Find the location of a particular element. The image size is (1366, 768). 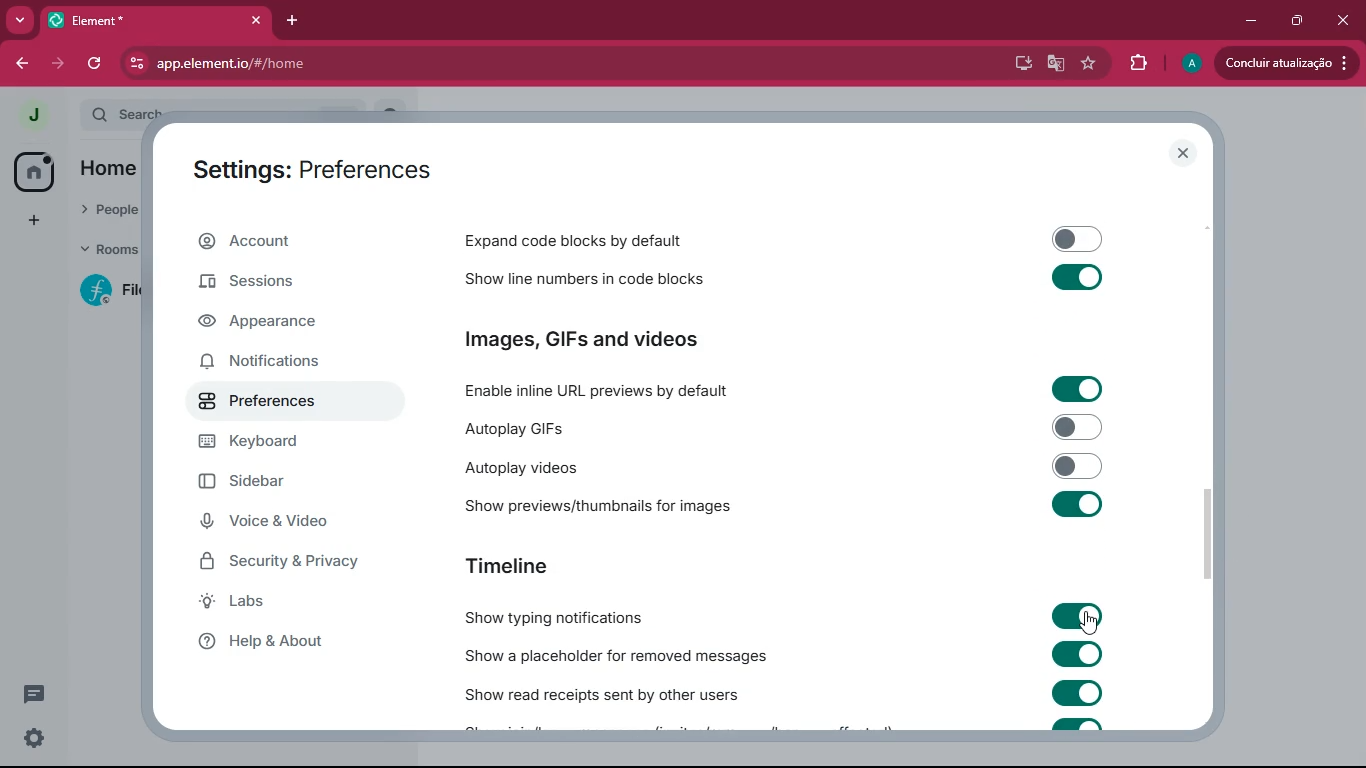

desktop is located at coordinates (1022, 65).